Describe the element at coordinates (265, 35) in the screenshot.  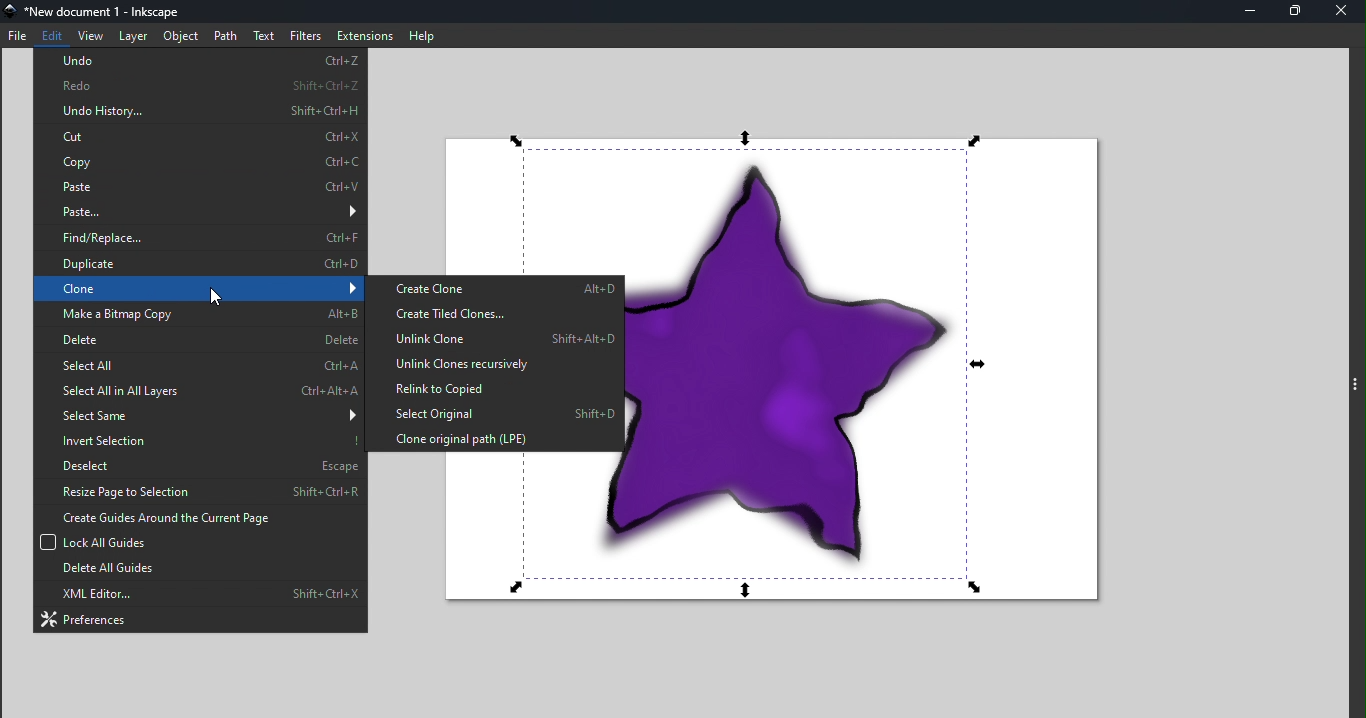
I see `Text` at that location.